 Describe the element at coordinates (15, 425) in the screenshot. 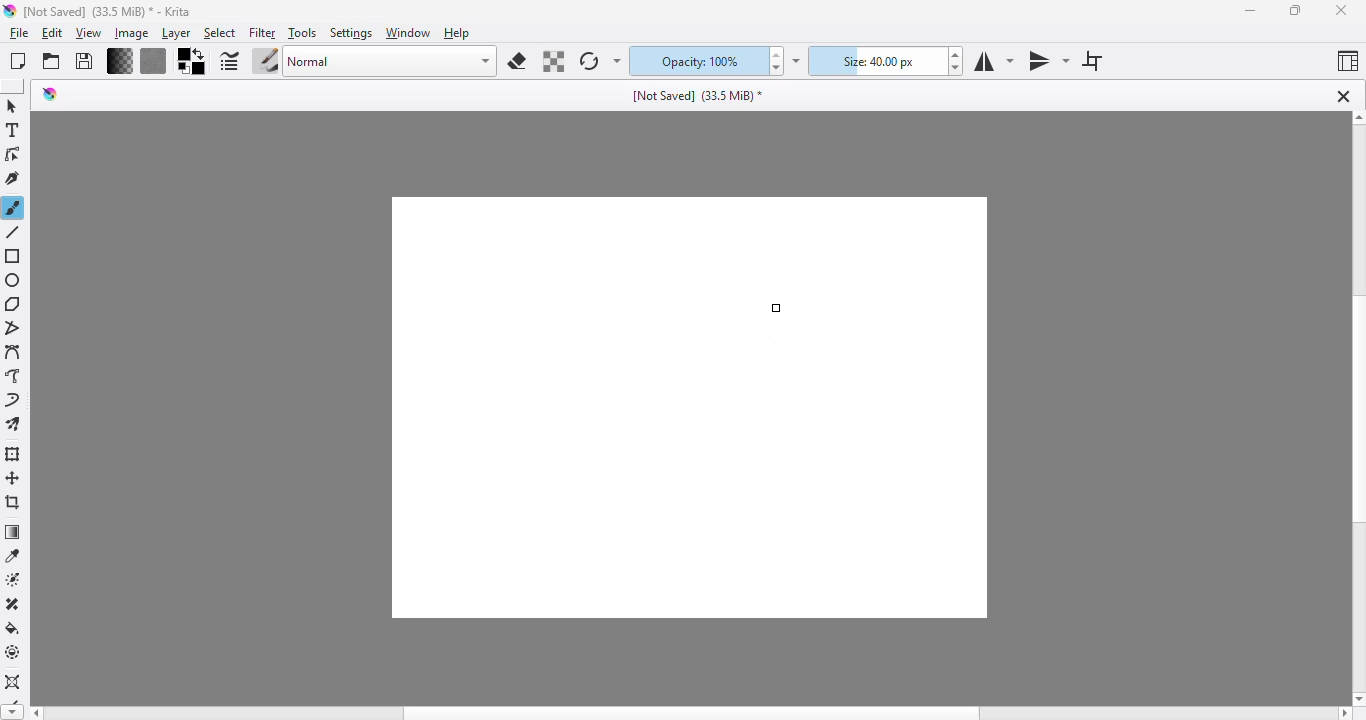

I see `multibrush tool` at that location.